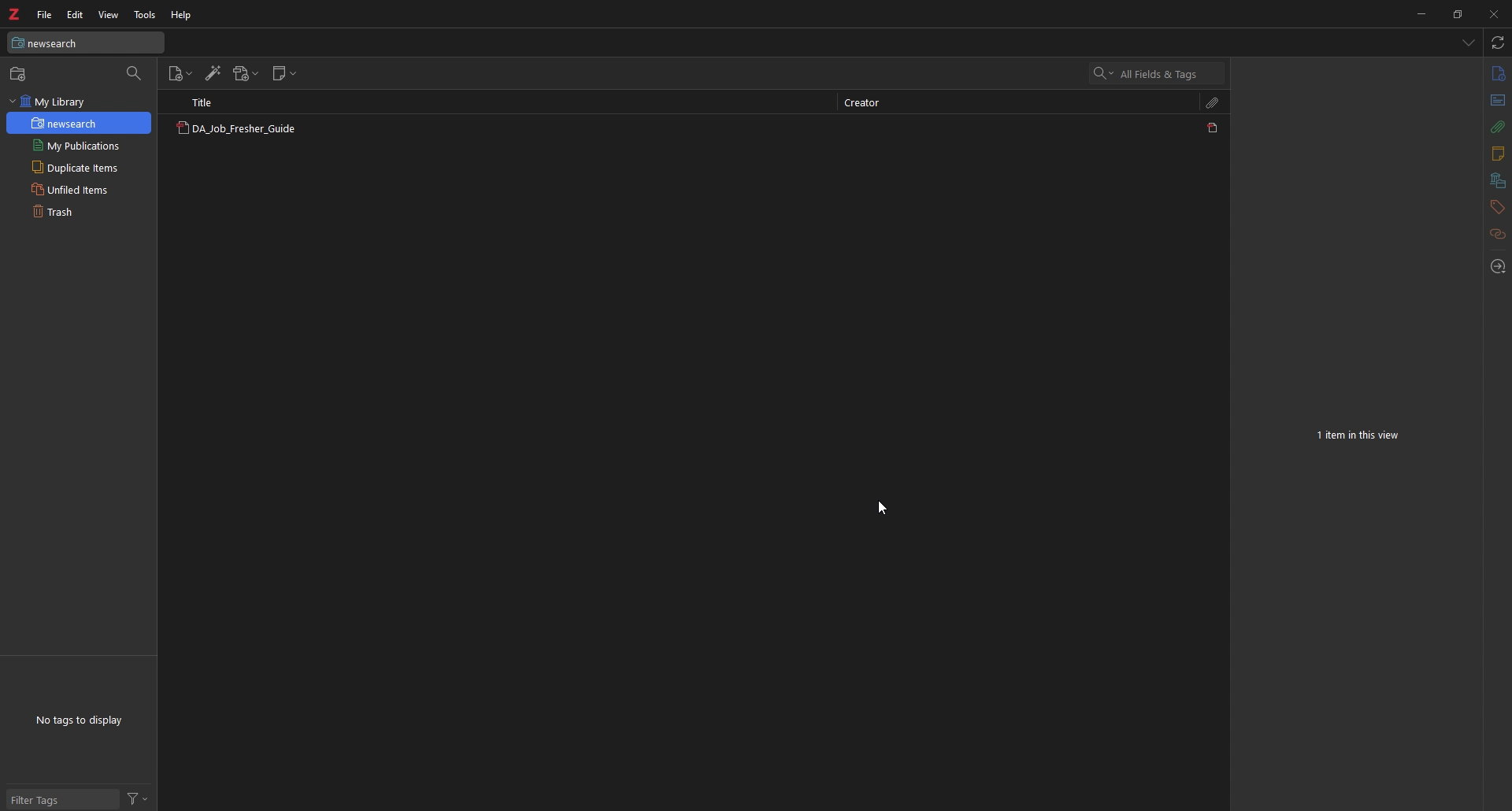  What do you see at coordinates (213, 73) in the screenshot?
I see `add items by identifier` at bounding box center [213, 73].